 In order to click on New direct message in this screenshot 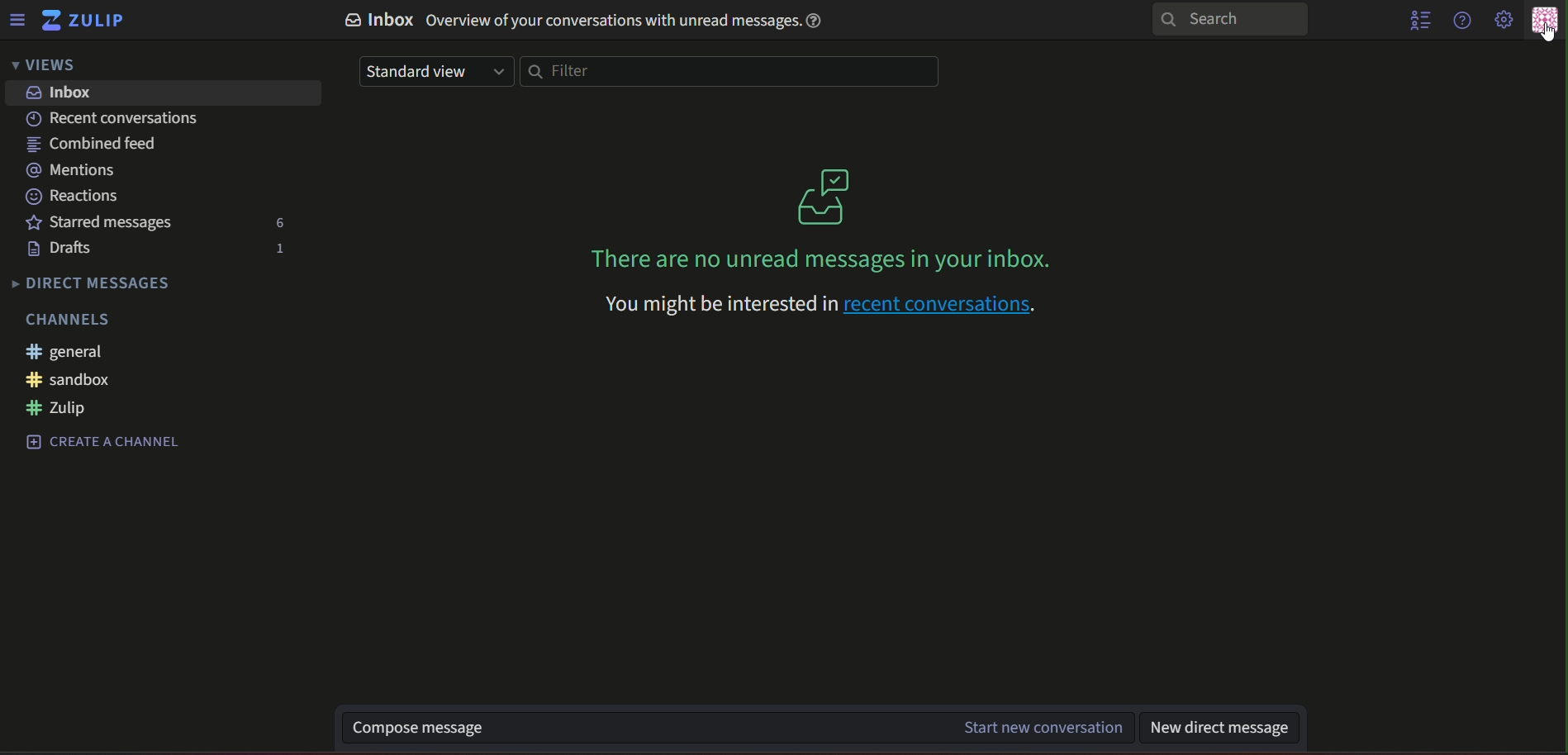, I will do `click(1225, 727)`.